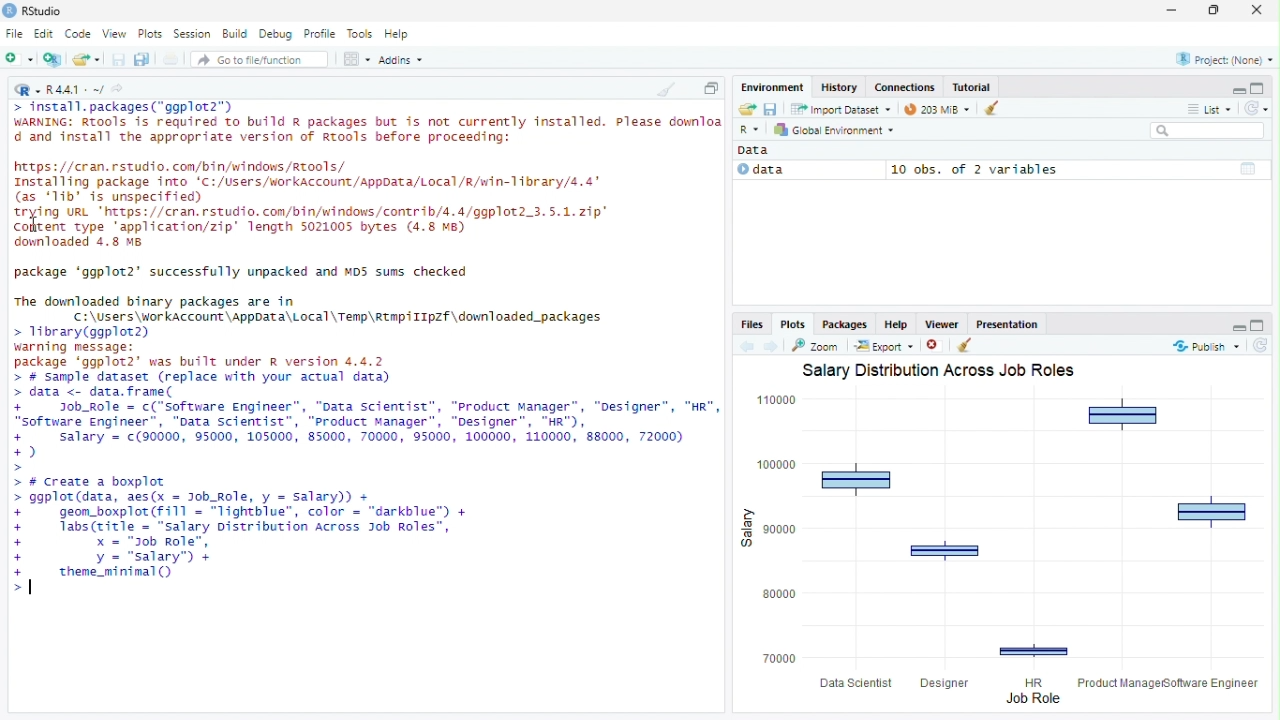 The image size is (1280, 720). What do you see at coordinates (401, 59) in the screenshot?
I see `Addins` at bounding box center [401, 59].